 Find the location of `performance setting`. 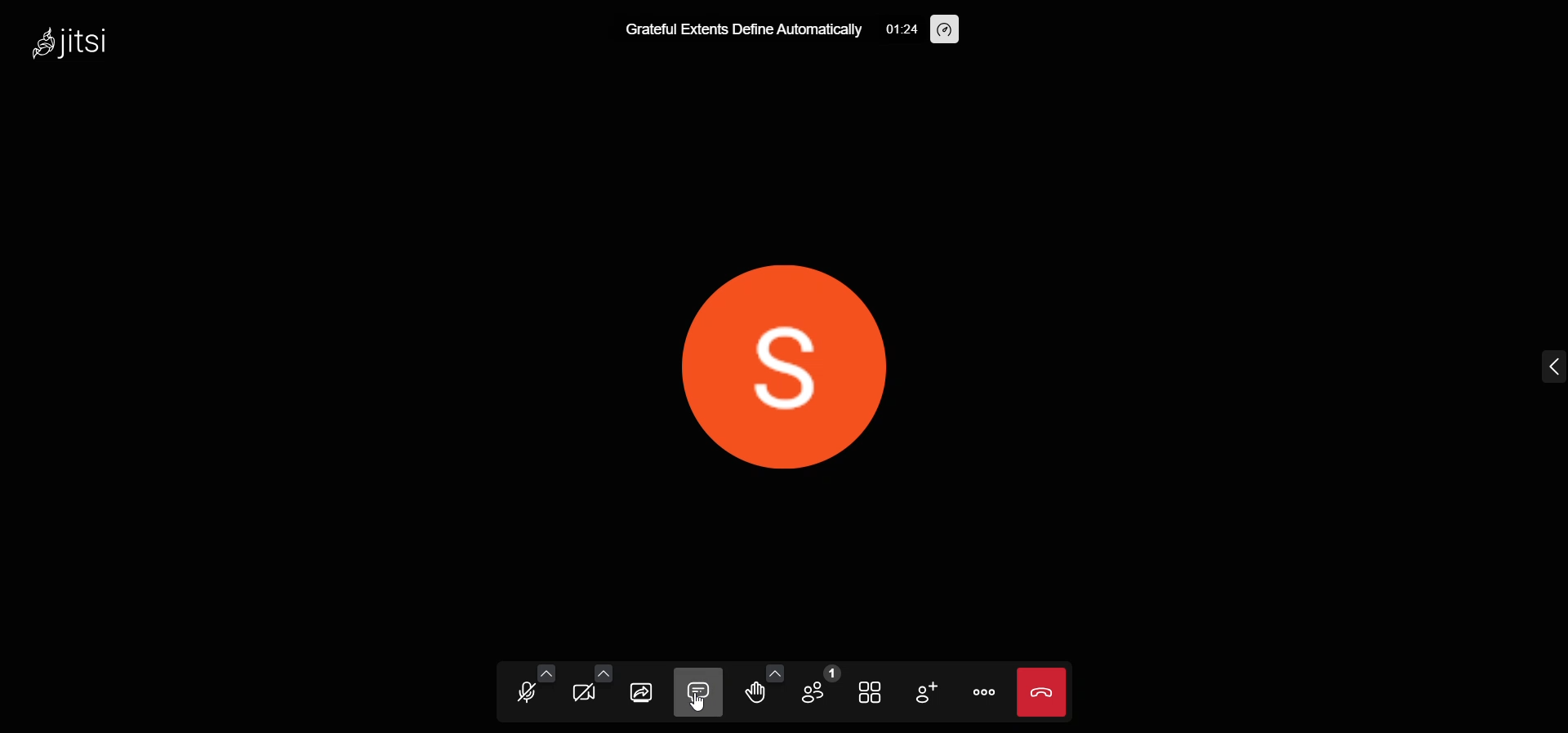

performance setting is located at coordinates (947, 29).